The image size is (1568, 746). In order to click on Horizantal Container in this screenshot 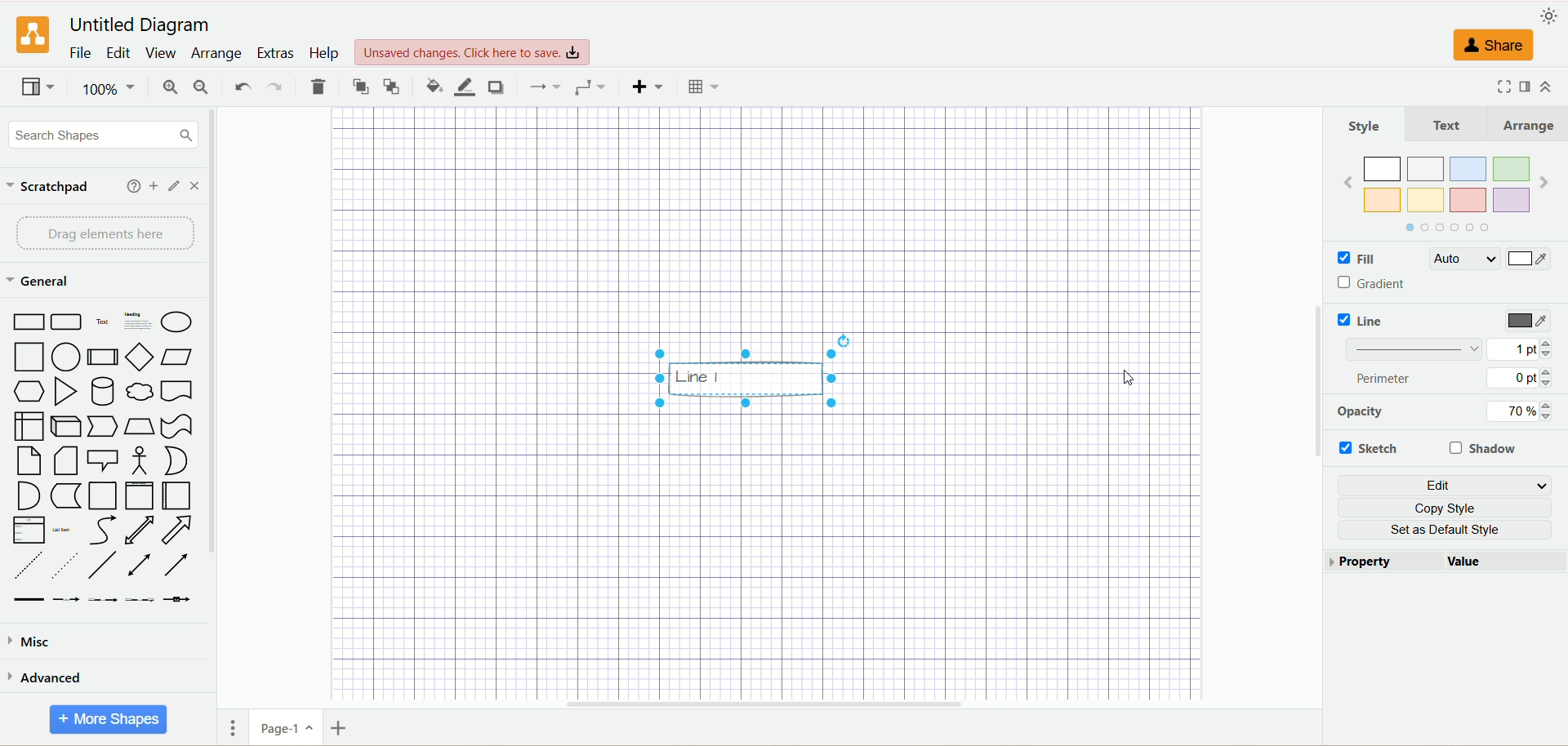, I will do `click(176, 495)`.